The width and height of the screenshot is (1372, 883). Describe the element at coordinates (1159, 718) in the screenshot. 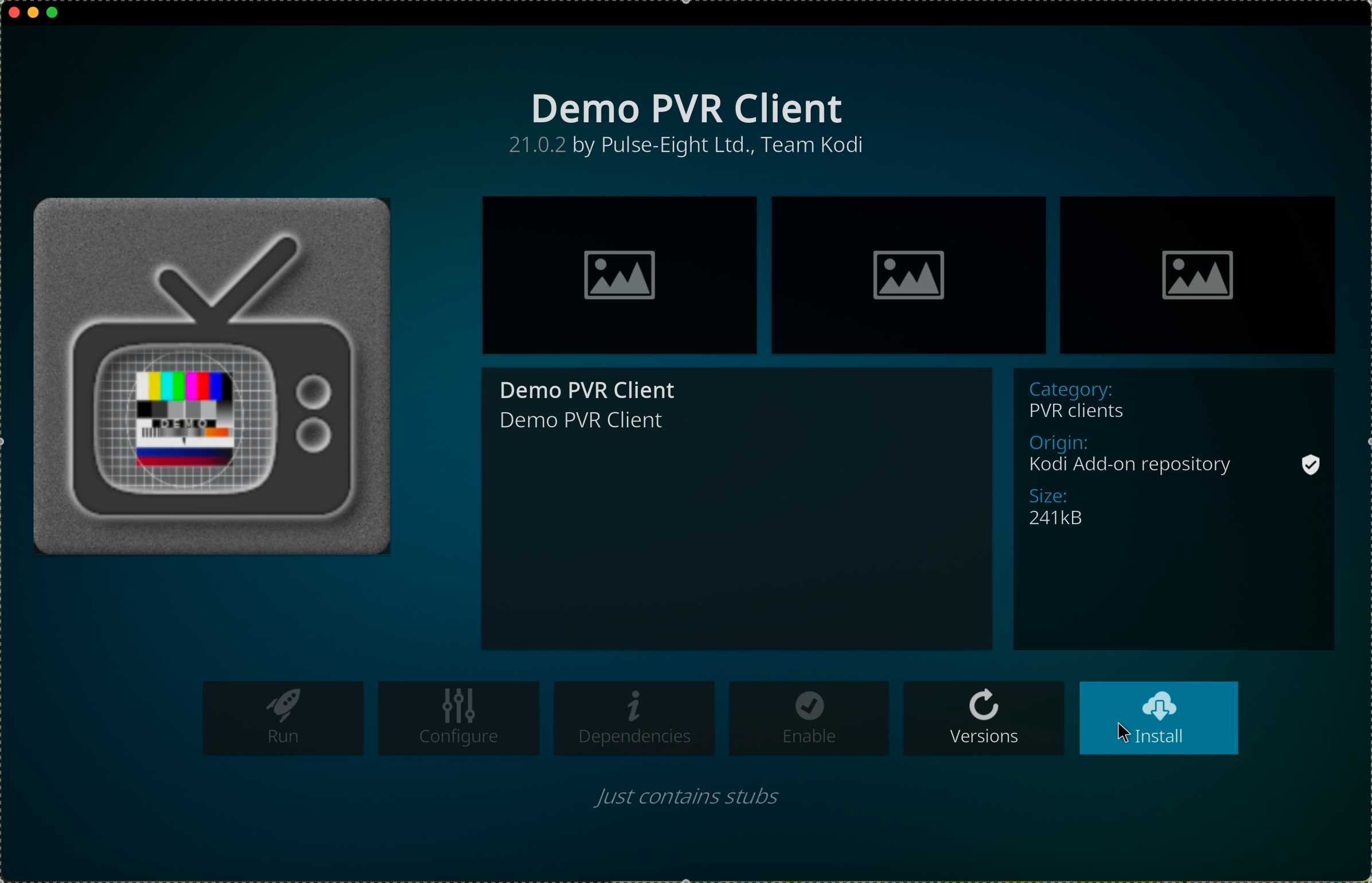

I see `click on install button` at that location.